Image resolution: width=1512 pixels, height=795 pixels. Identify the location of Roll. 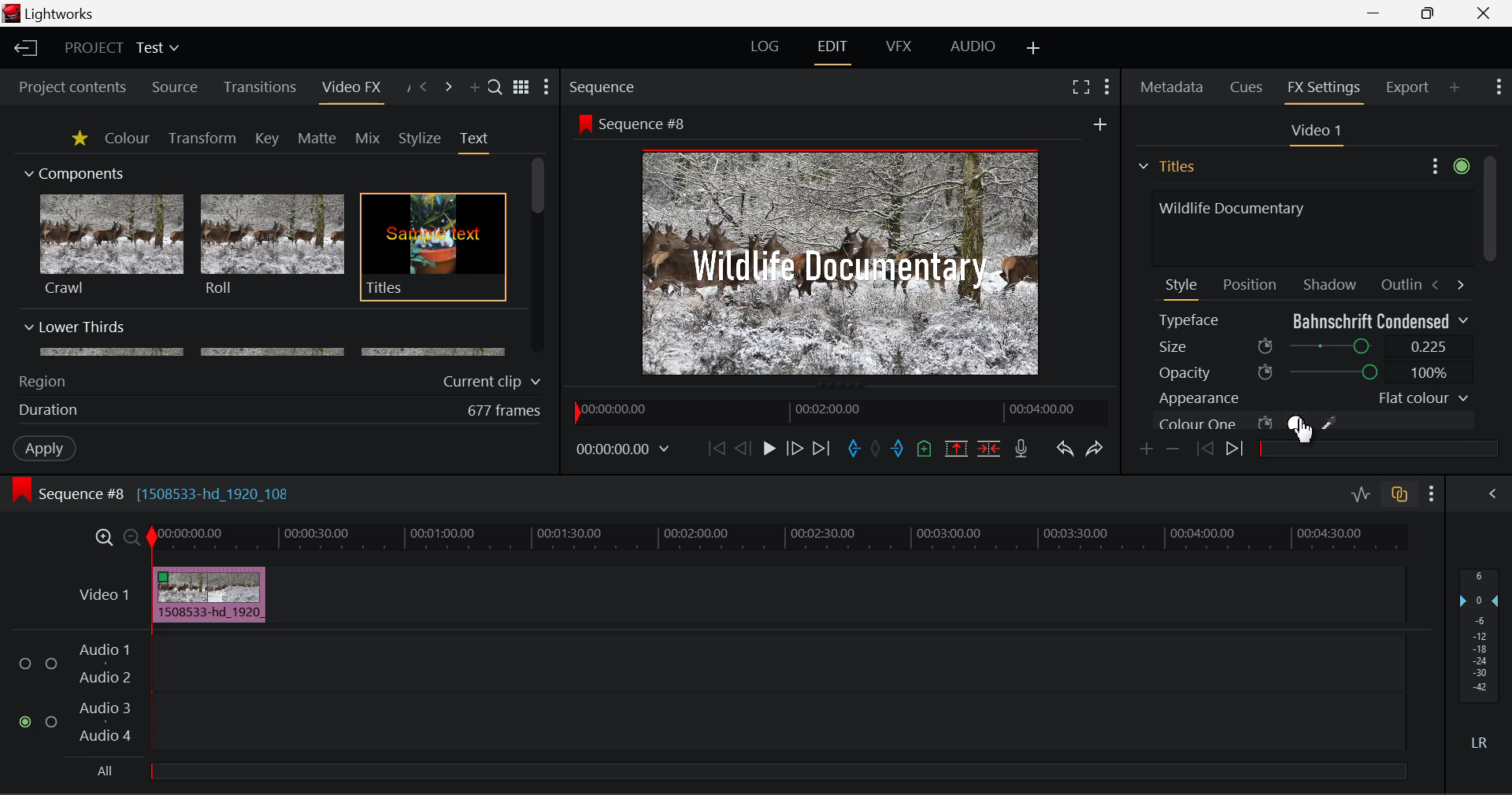
(271, 246).